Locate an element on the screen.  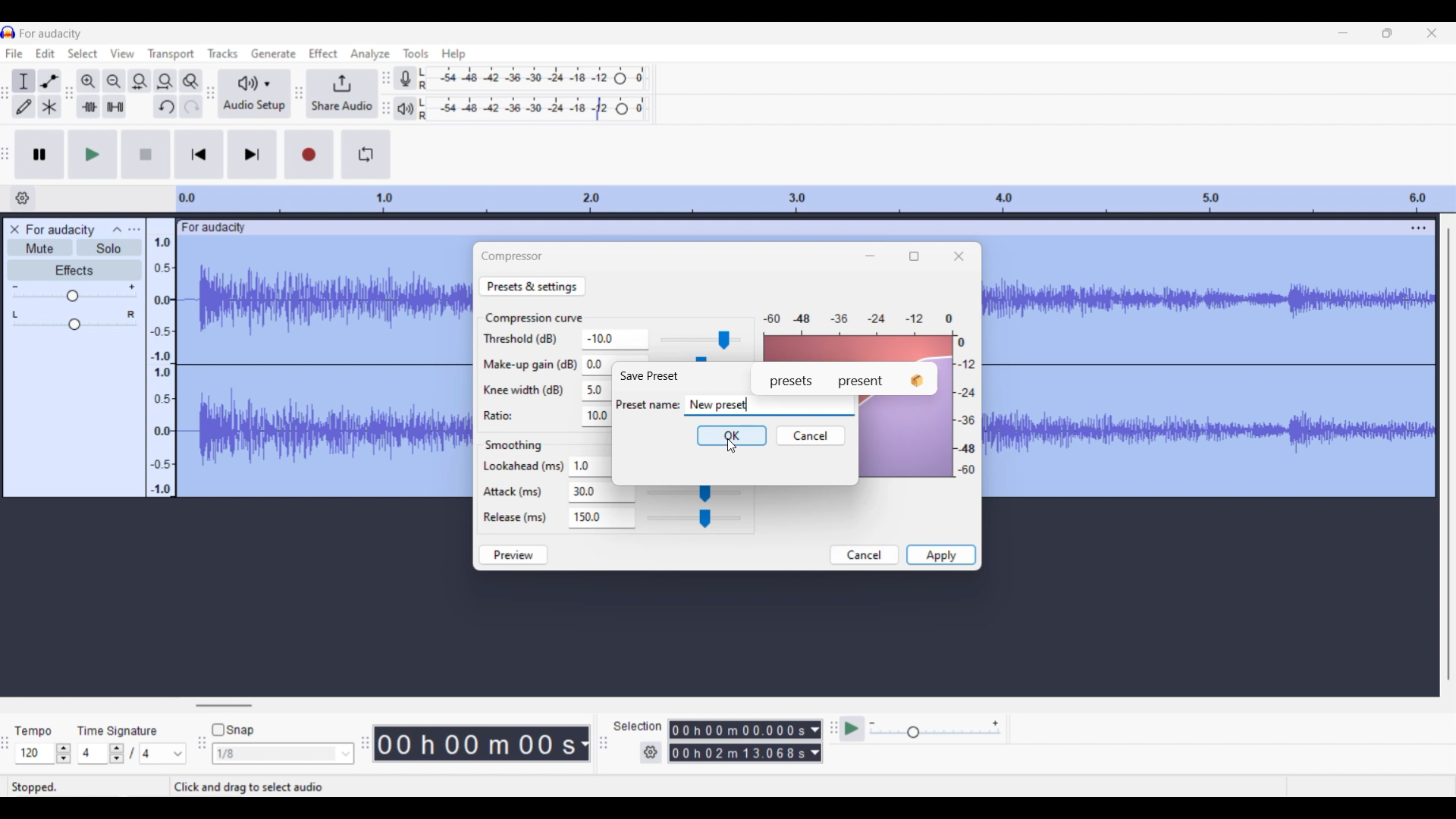
Fit project to width is located at coordinates (165, 80).